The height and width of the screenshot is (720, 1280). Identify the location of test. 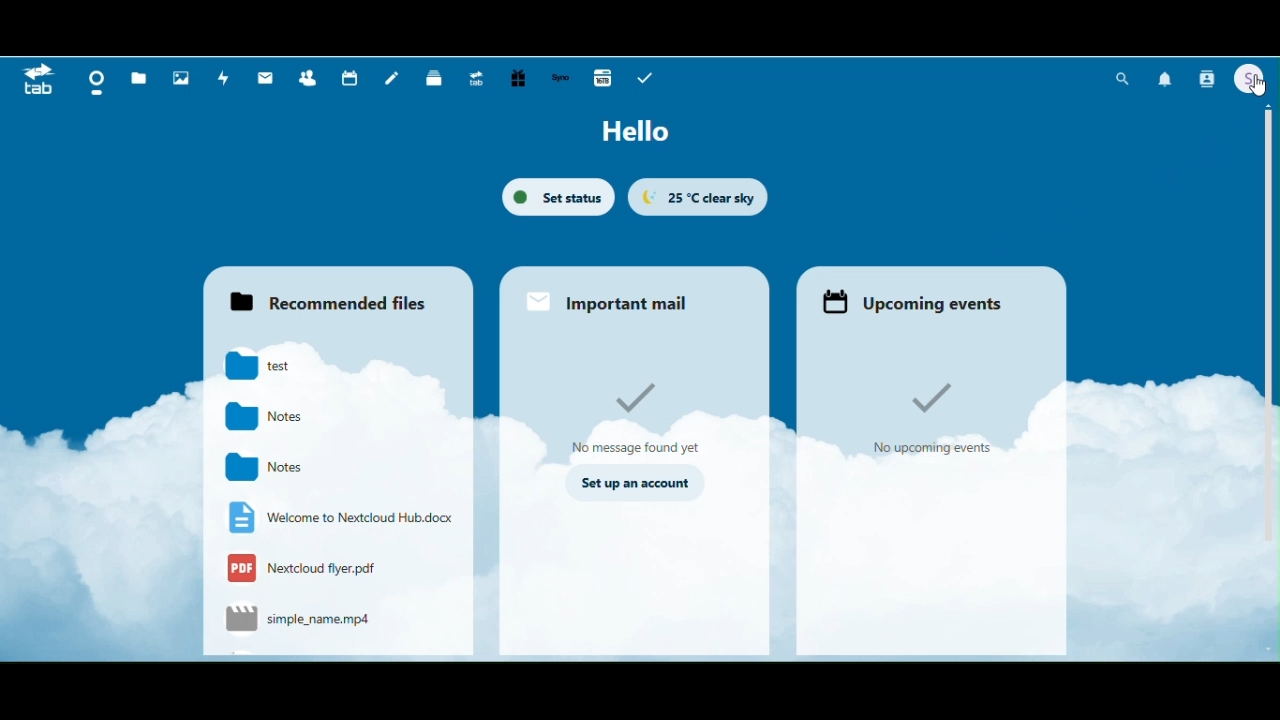
(276, 368).